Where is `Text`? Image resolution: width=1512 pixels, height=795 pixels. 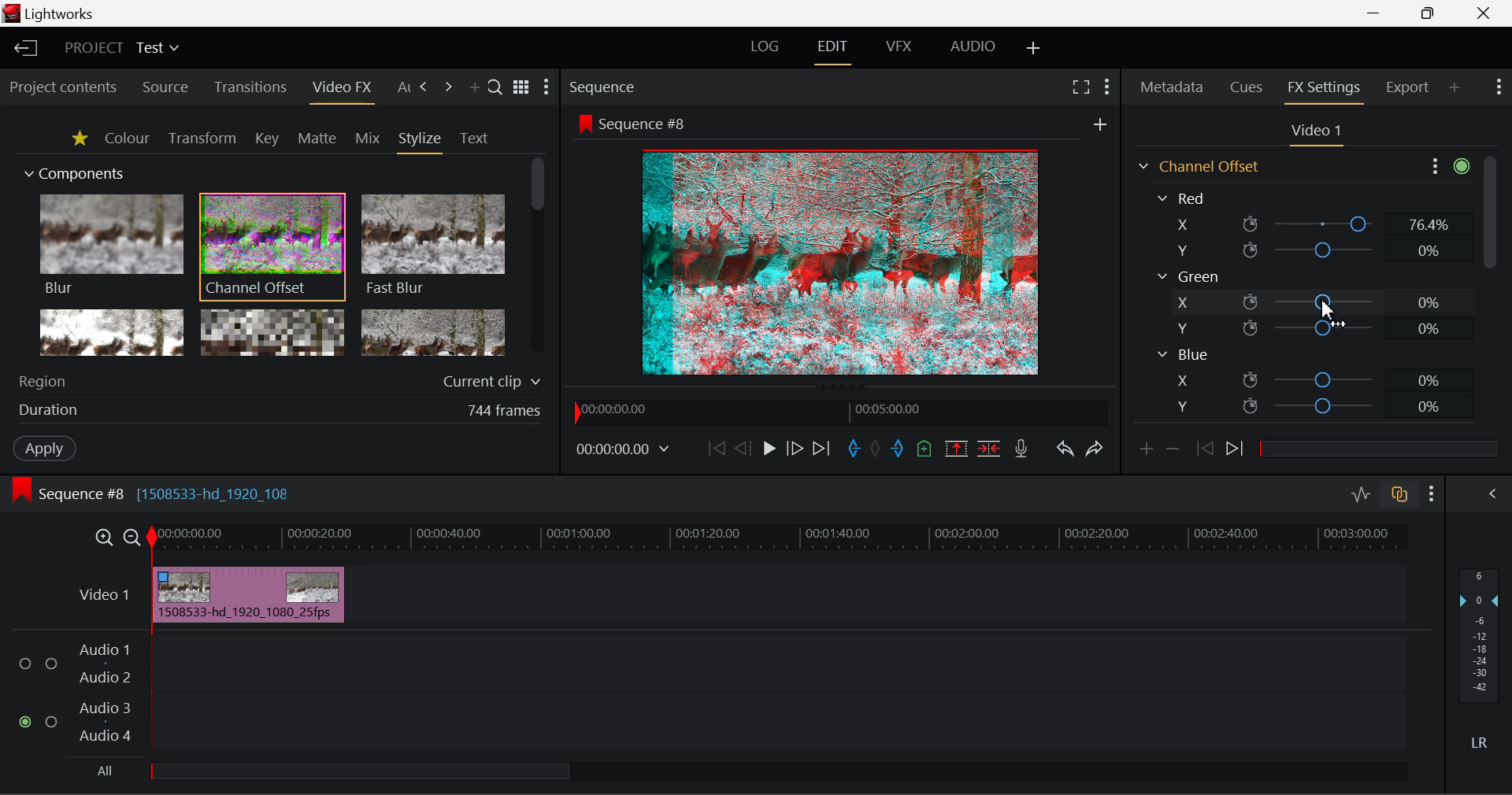 Text is located at coordinates (473, 139).